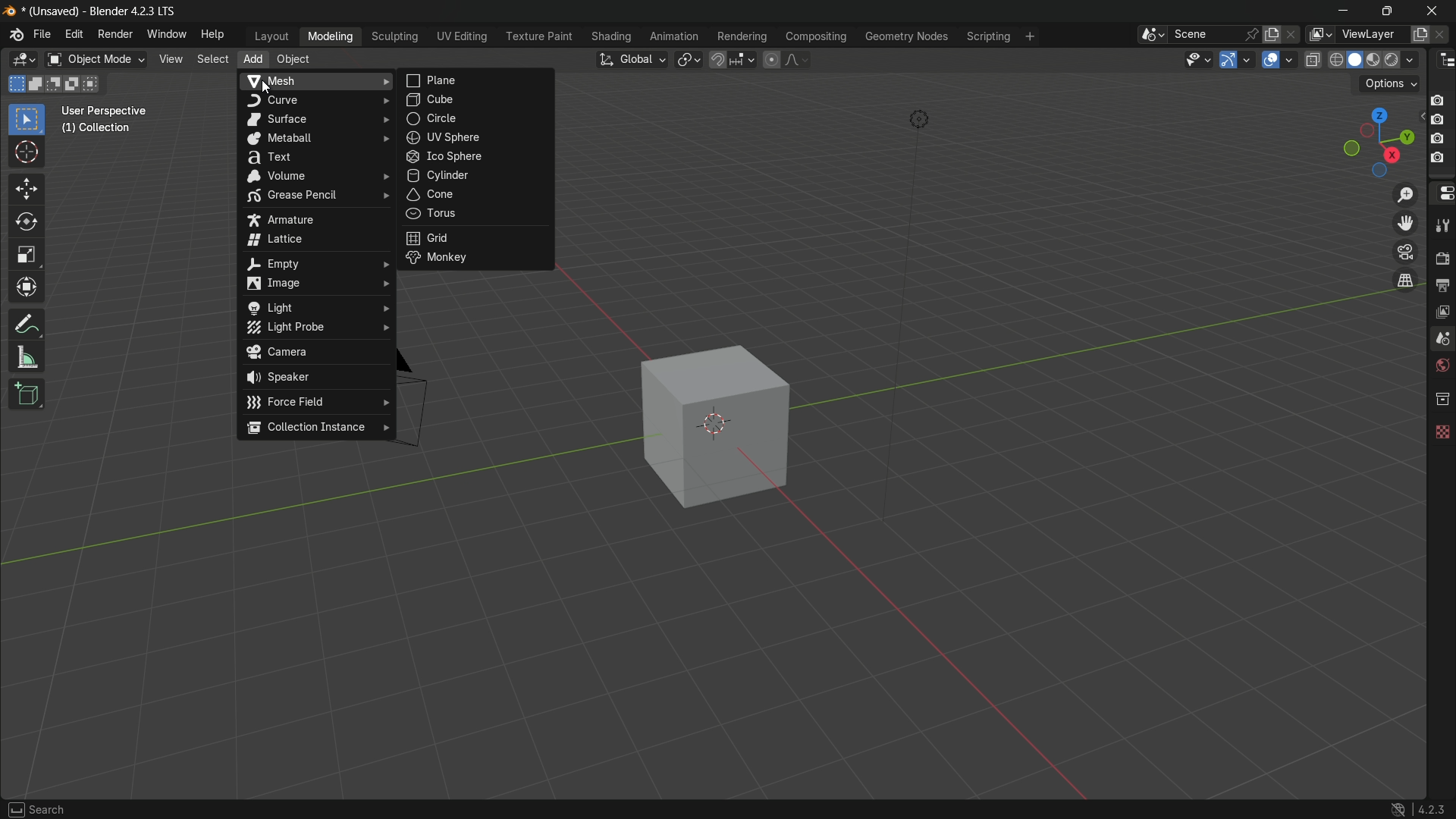 This screenshot has height=819, width=1456. Describe the element at coordinates (1442, 434) in the screenshot. I see `texture` at that location.